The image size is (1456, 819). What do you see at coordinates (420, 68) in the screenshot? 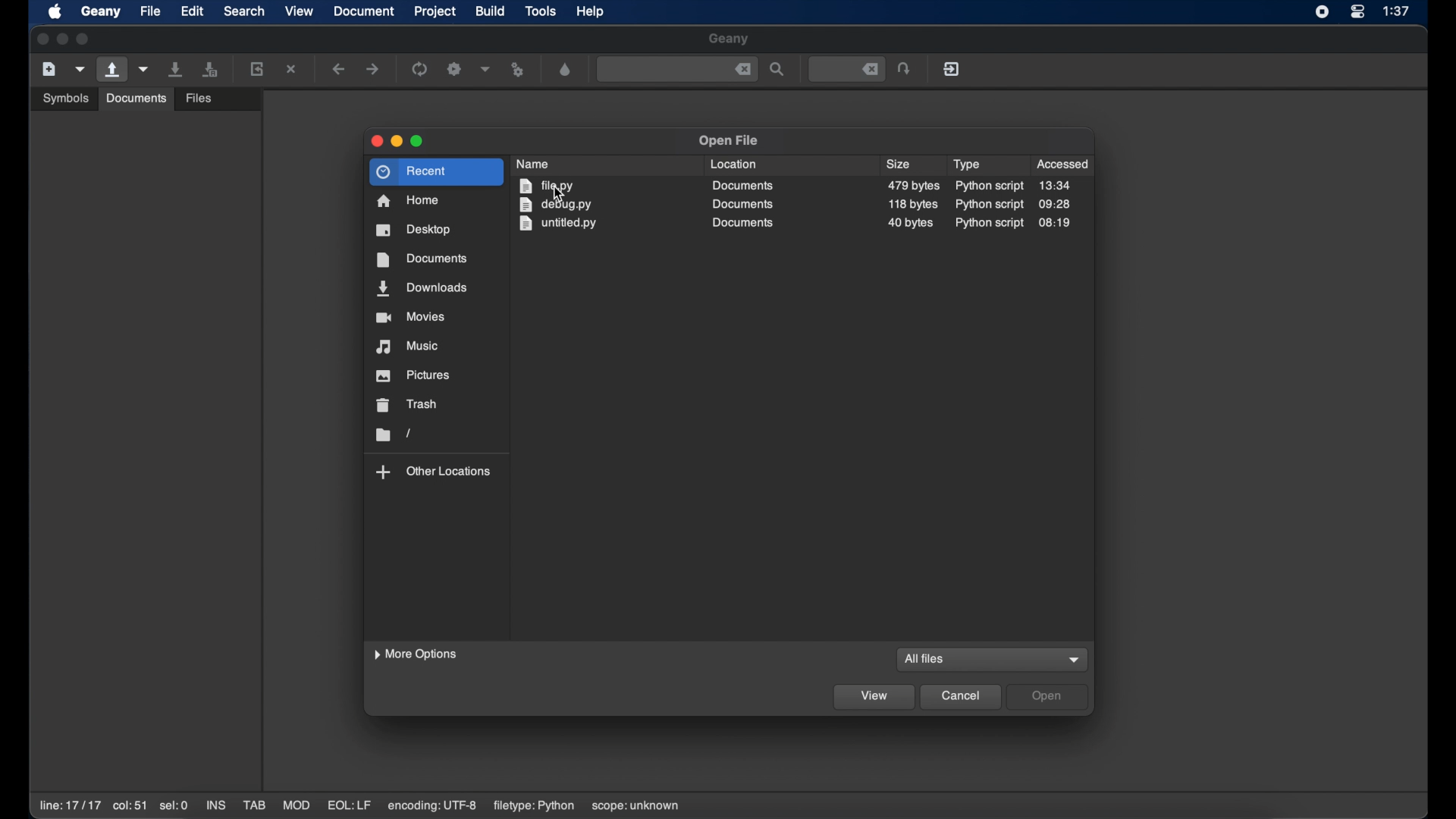
I see `compile the current file` at bounding box center [420, 68].